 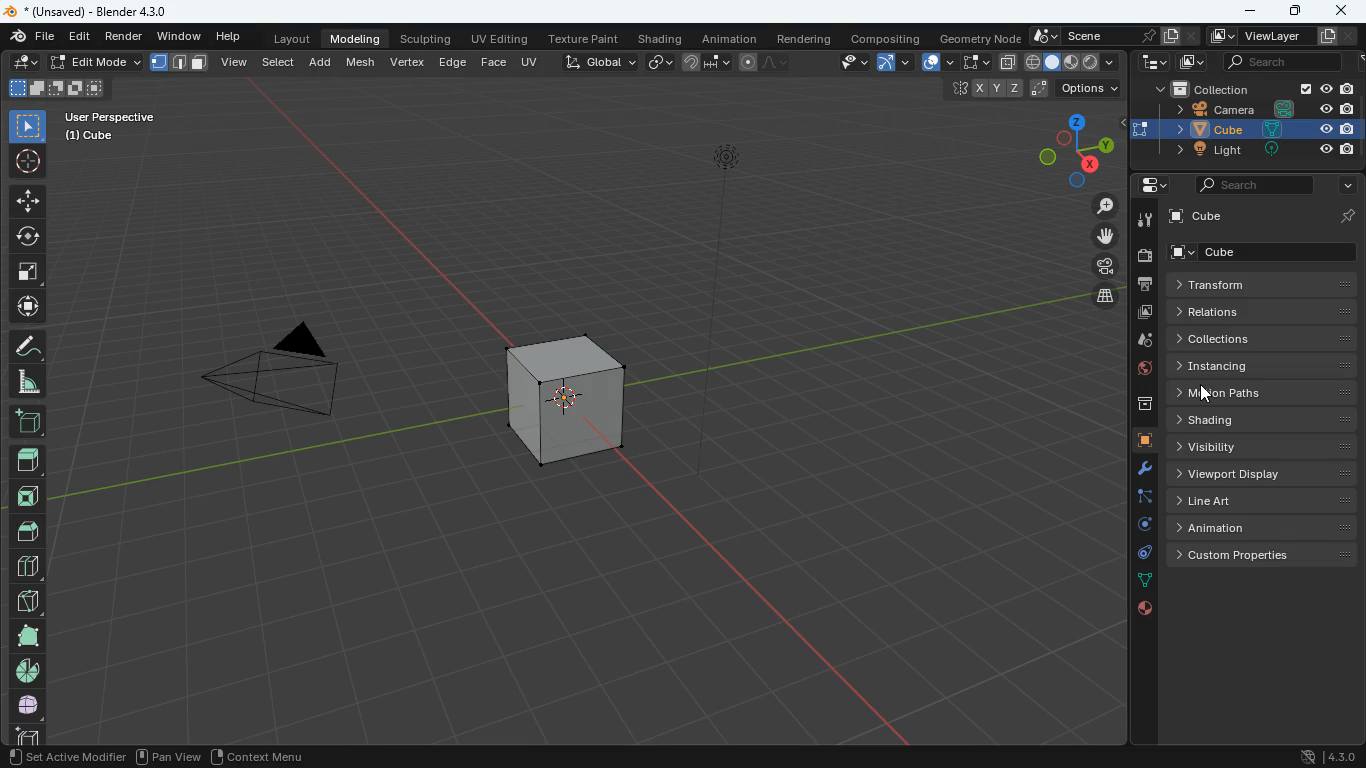 I want to click on texture, so click(x=587, y=40).